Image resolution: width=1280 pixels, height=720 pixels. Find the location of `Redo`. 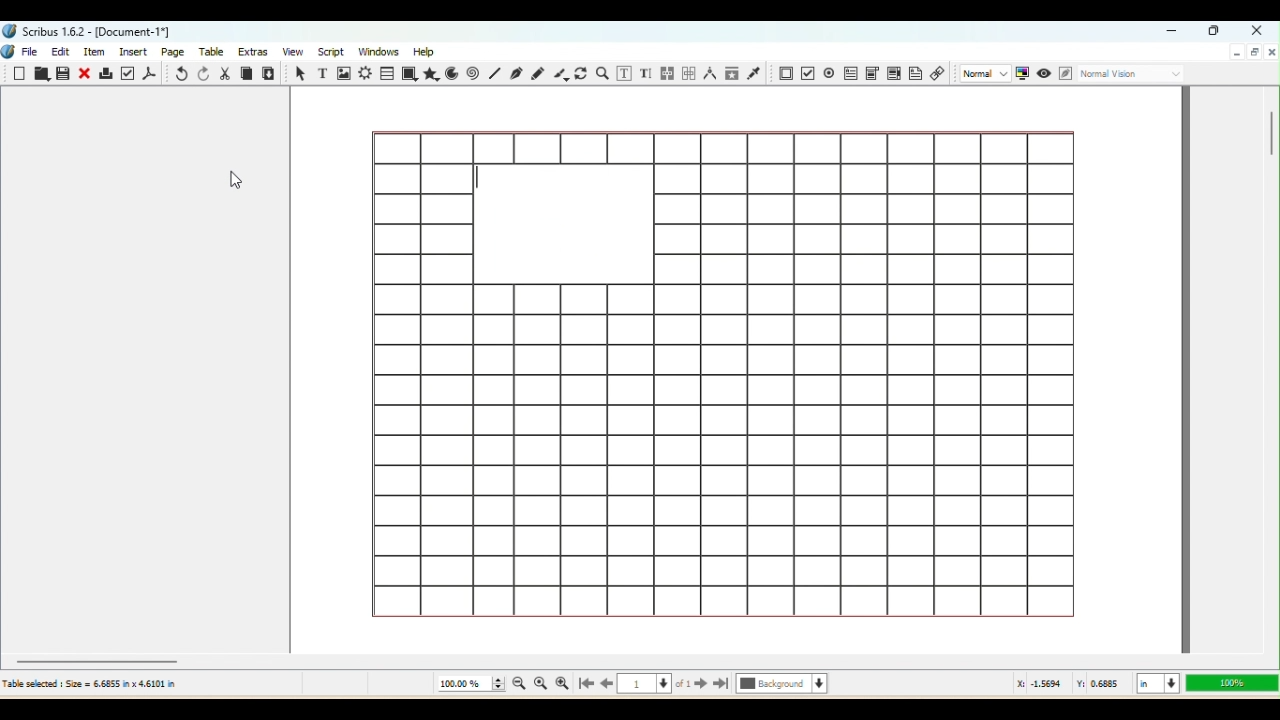

Redo is located at coordinates (202, 74).